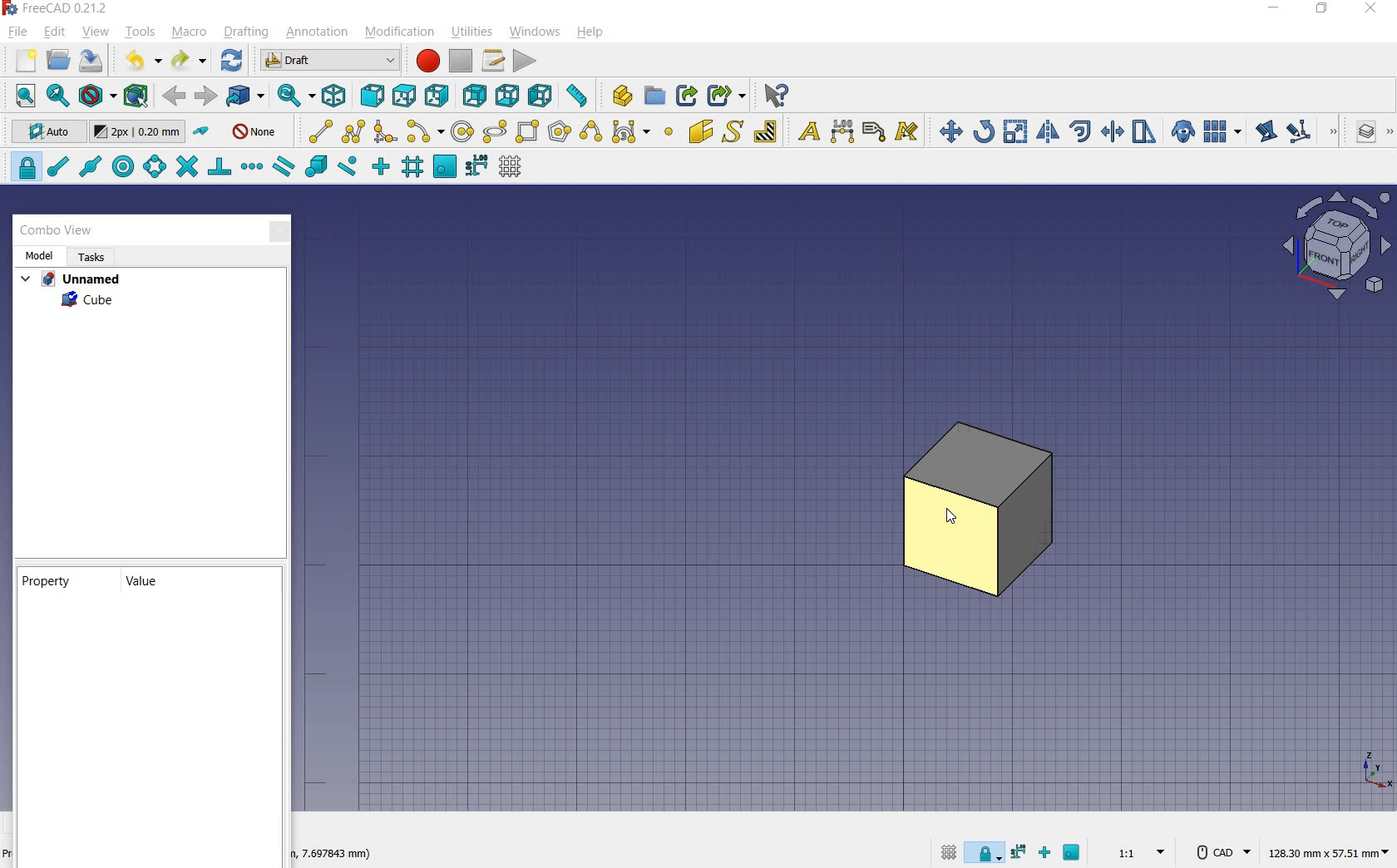  What do you see at coordinates (630, 133) in the screenshot?
I see `Bezier tools` at bounding box center [630, 133].